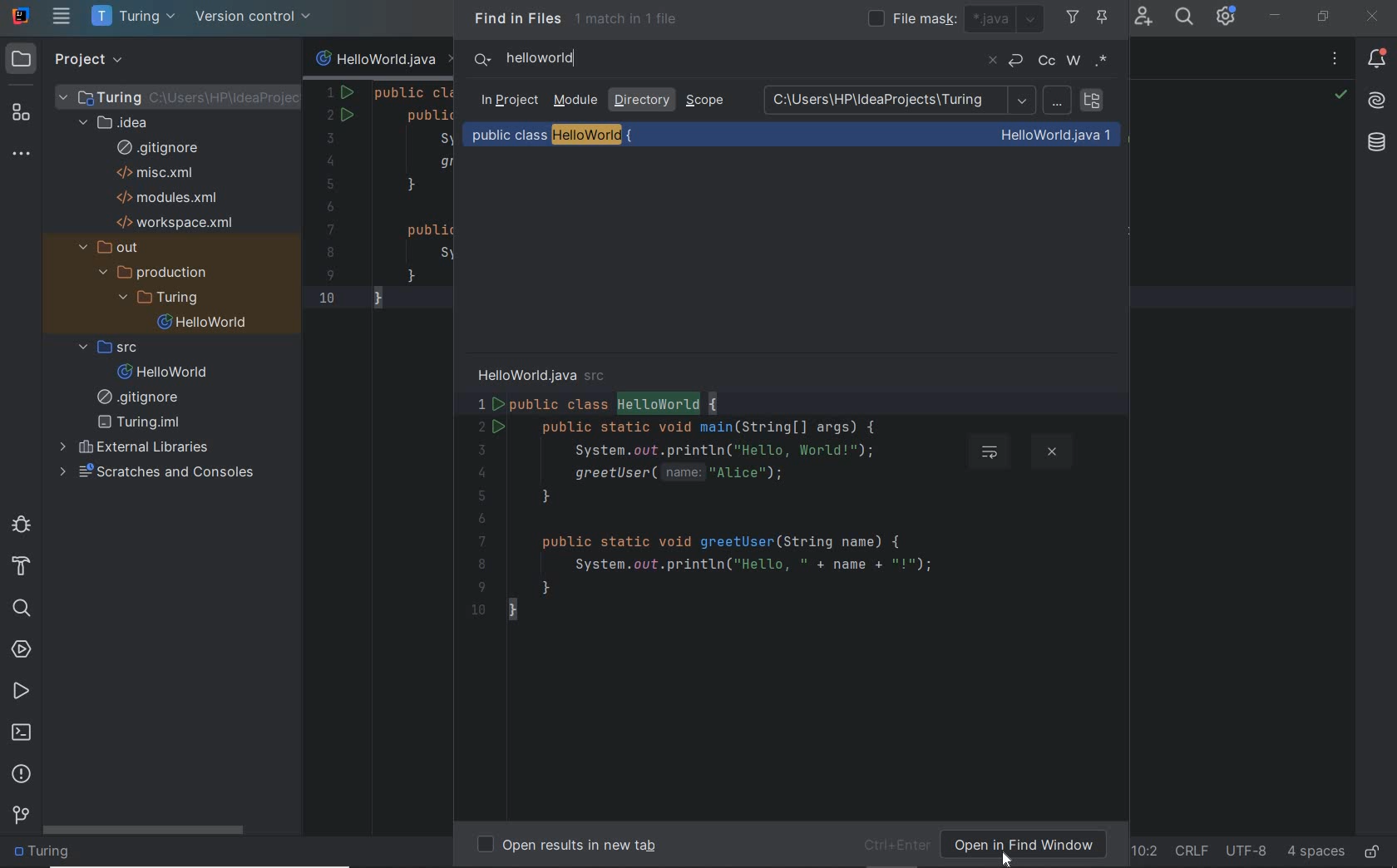 The width and height of the screenshot is (1397, 868). What do you see at coordinates (1276, 16) in the screenshot?
I see `MINIMIZE` at bounding box center [1276, 16].